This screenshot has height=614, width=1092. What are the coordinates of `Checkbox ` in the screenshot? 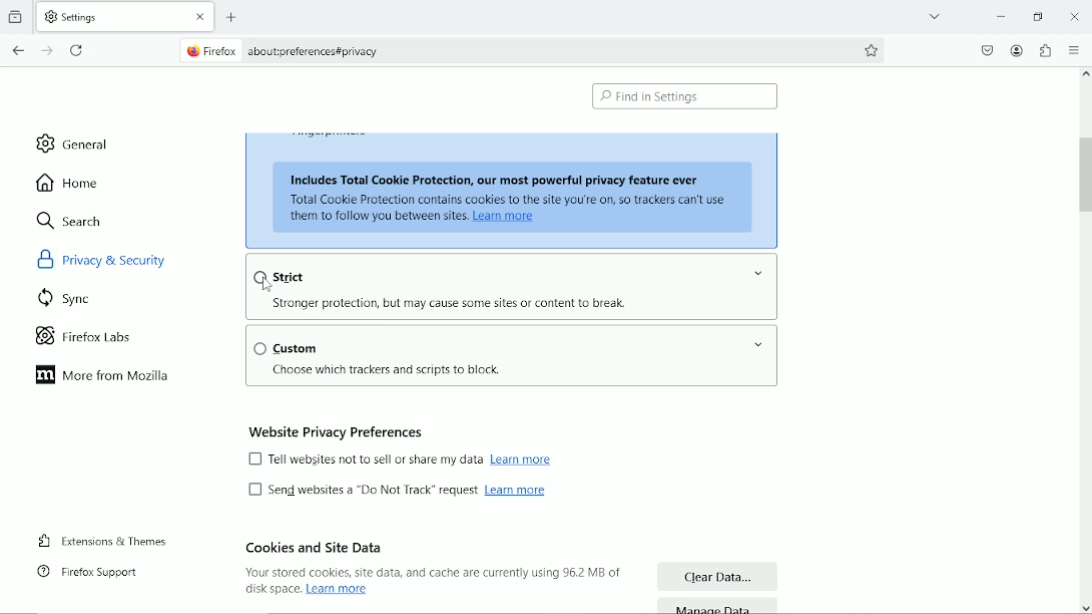 It's located at (257, 457).